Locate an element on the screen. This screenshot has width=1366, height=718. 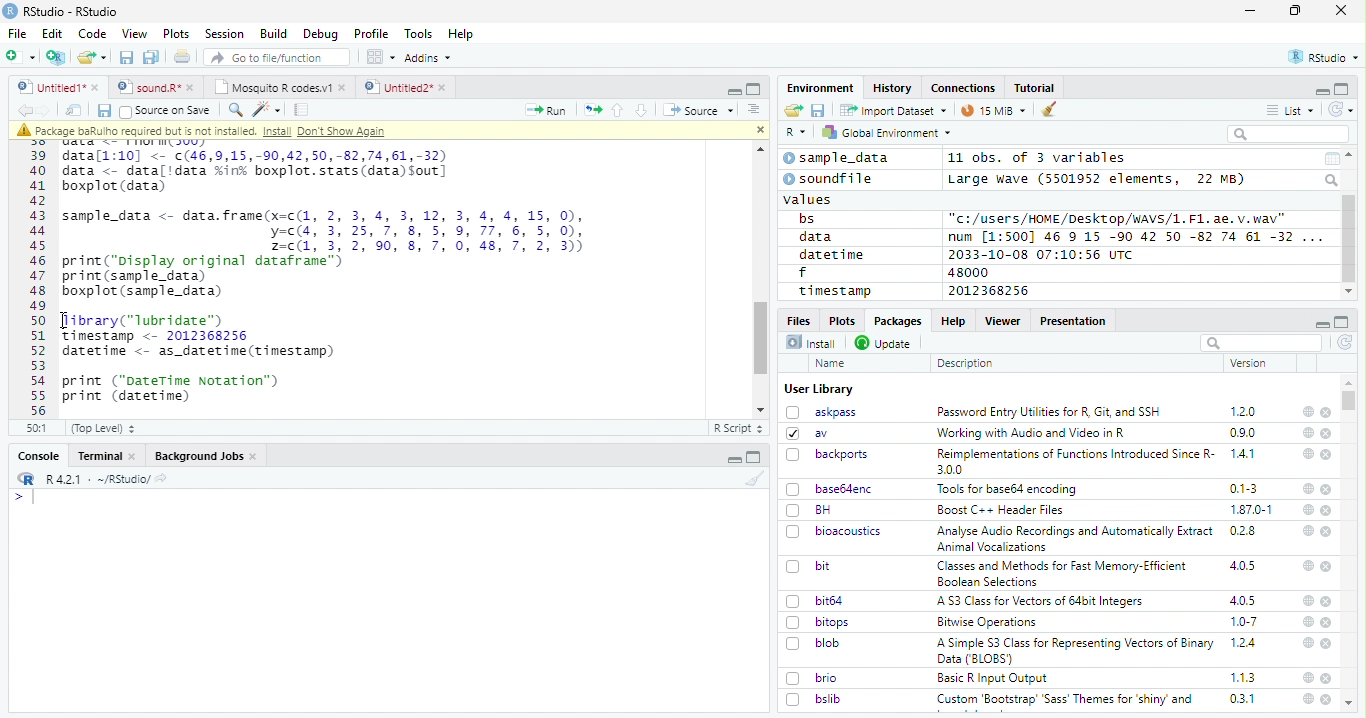
0.3.1 is located at coordinates (1242, 698).